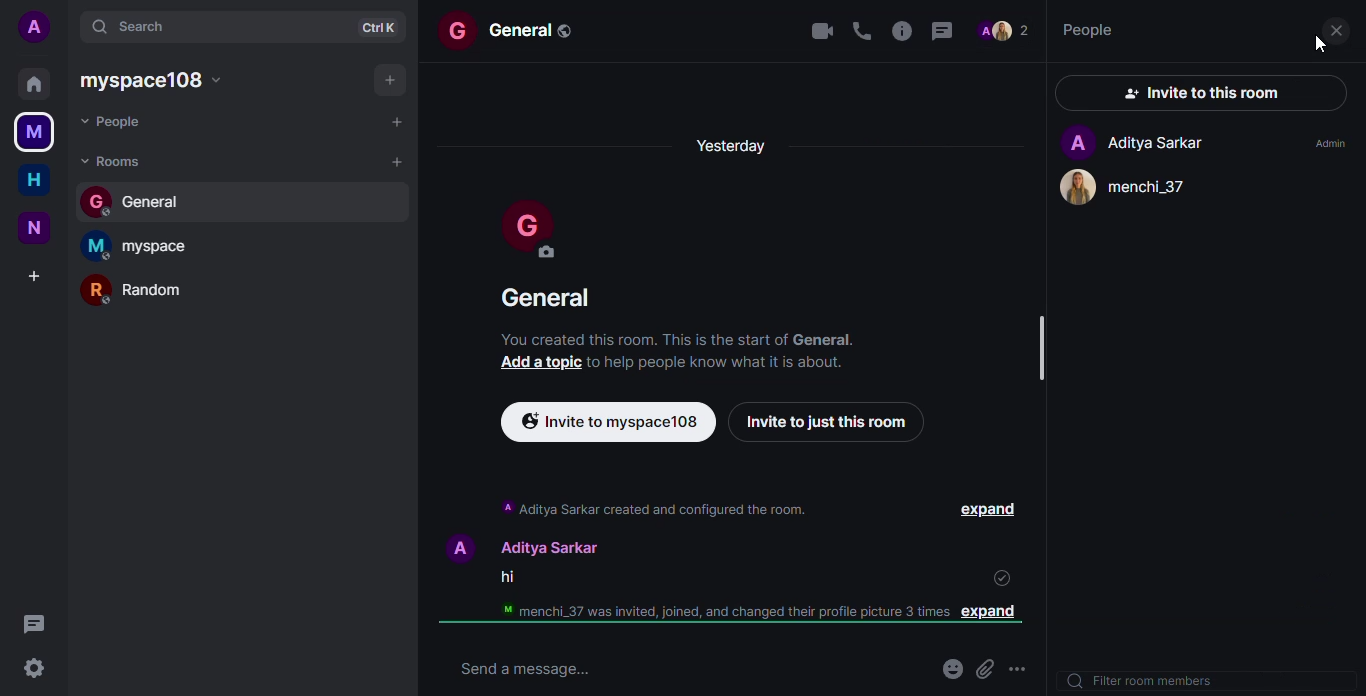 Image resolution: width=1366 pixels, height=696 pixels. Describe the element at coordinates (35, 669) in the screenshot. I see `settings` at that location.